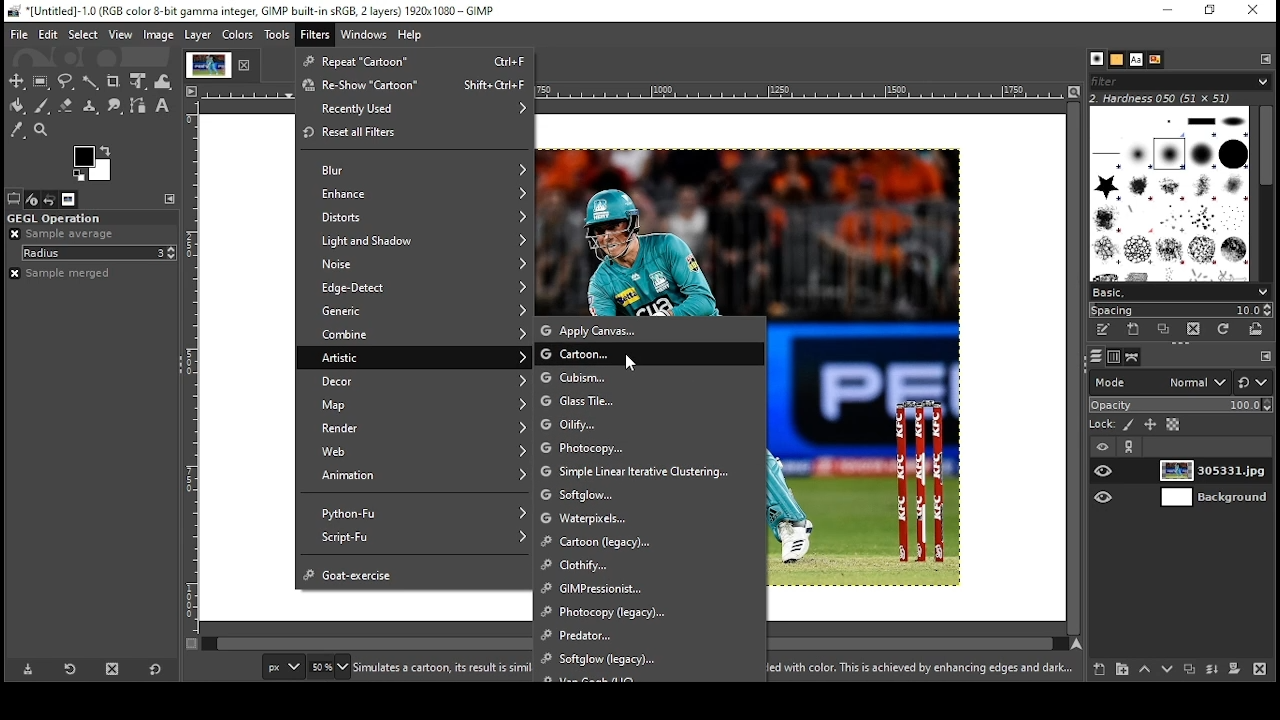  I want to click on minimize, so click(1168, 10).